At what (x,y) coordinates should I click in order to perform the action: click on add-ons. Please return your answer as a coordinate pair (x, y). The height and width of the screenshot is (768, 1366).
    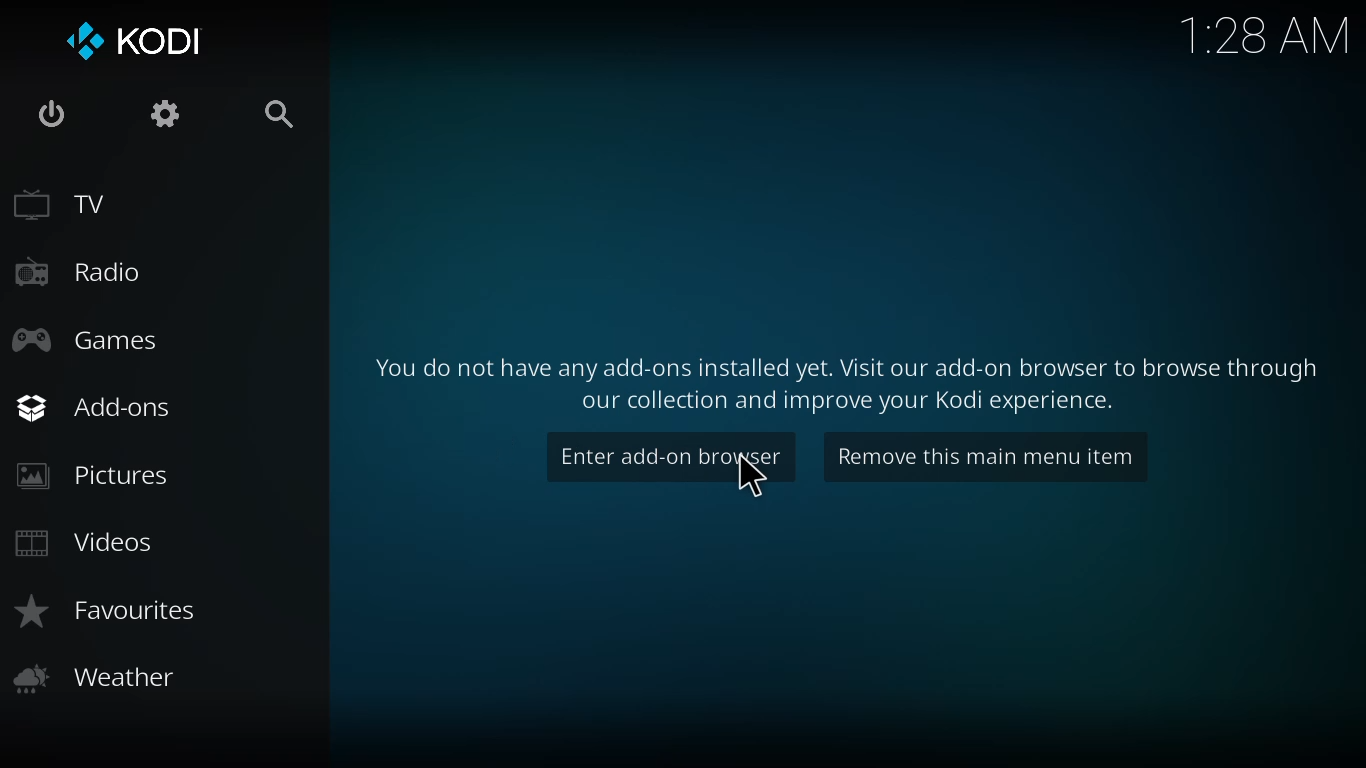
    Looking at the image, I should click on (94, 405).